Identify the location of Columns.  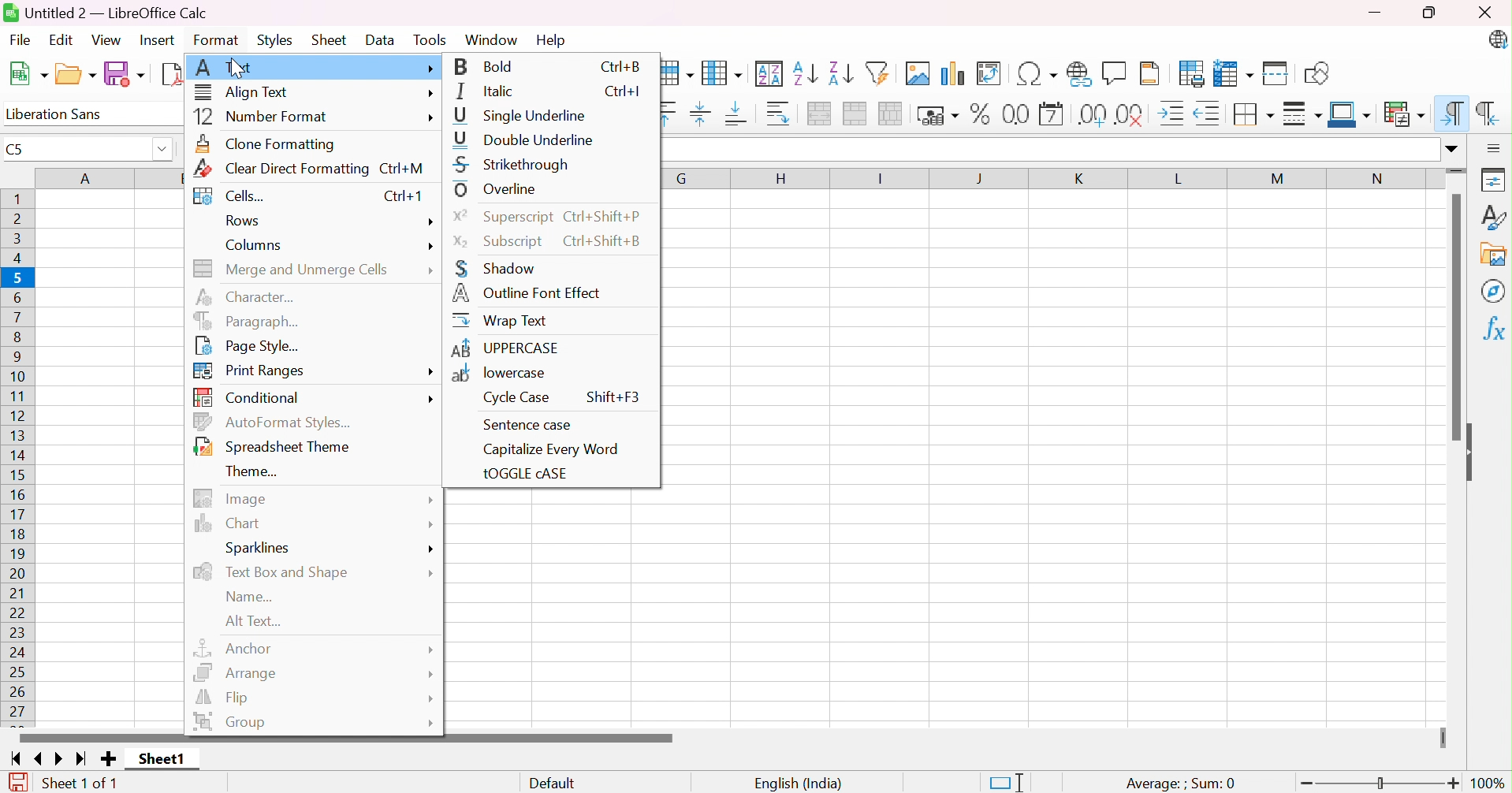
(257, 246).